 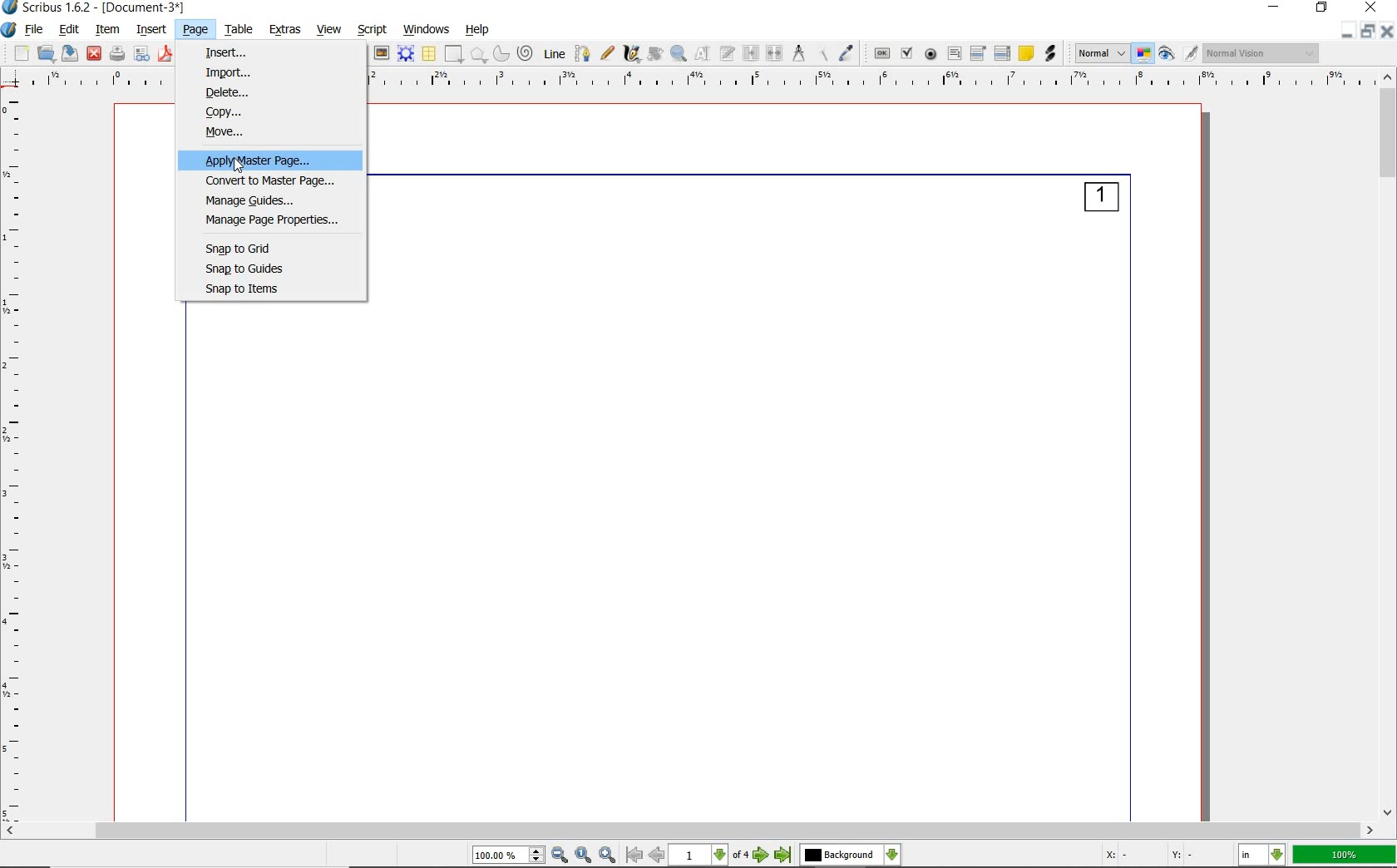 I want to click on edit, so click(x=68, y=29).